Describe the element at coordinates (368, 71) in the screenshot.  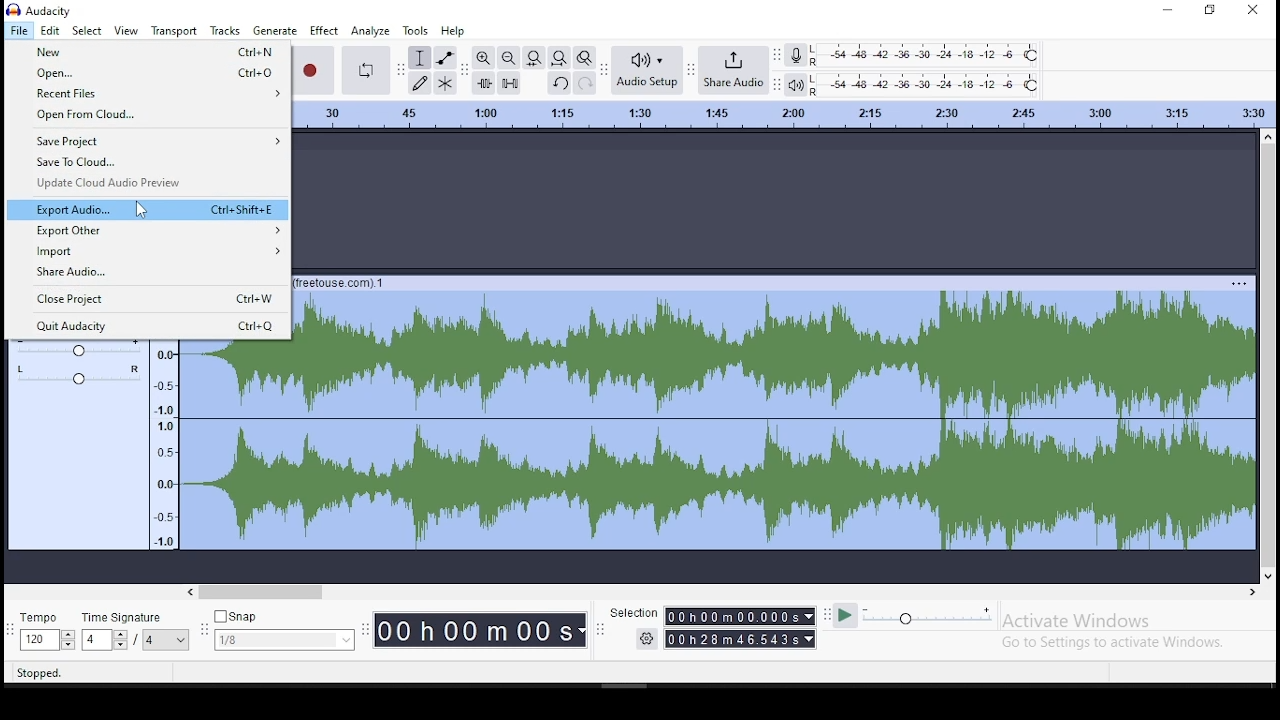
I see `enable looping` at that location.